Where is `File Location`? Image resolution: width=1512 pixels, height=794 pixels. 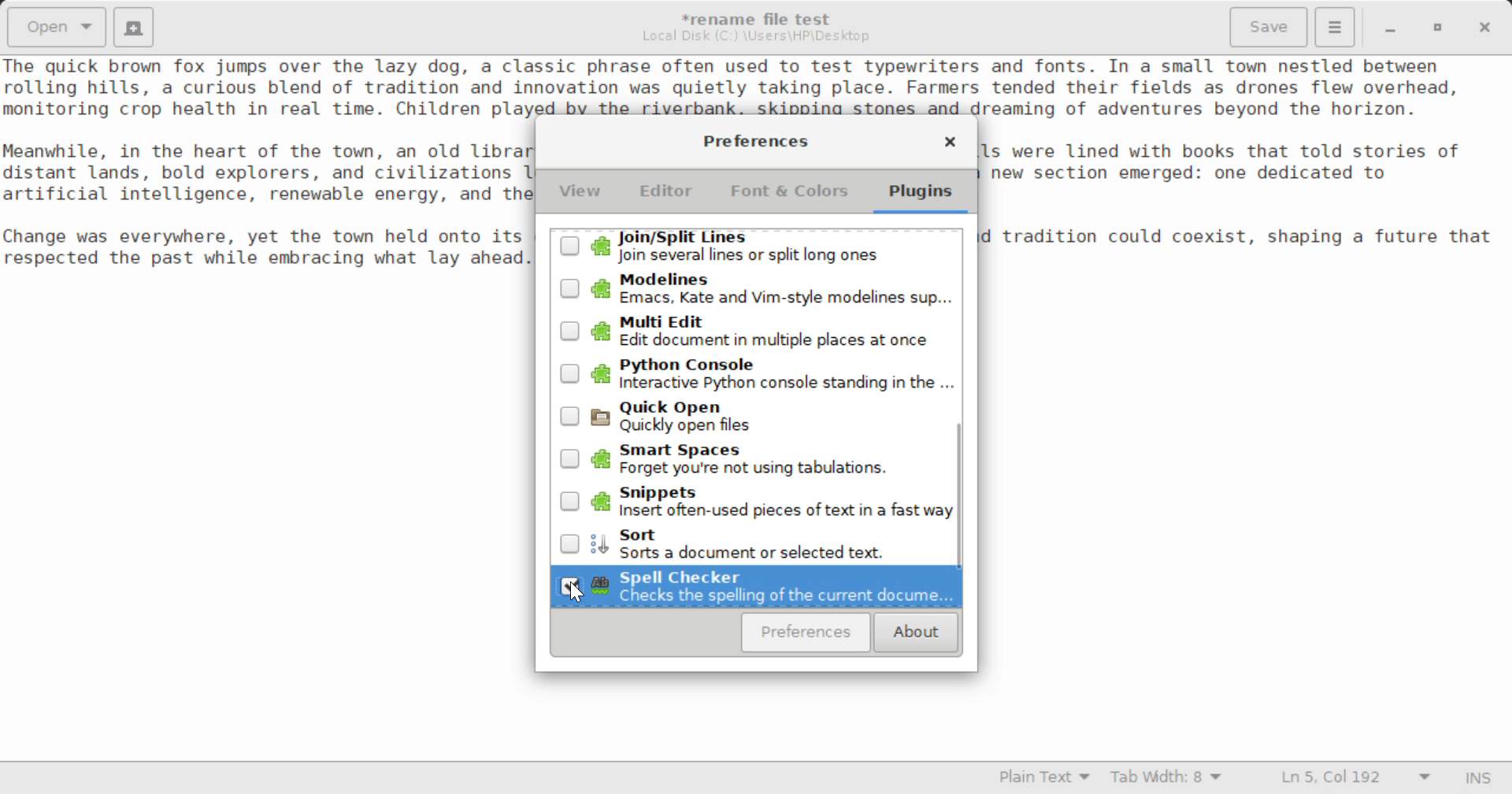
File Location is located at coordinates (756, 36).